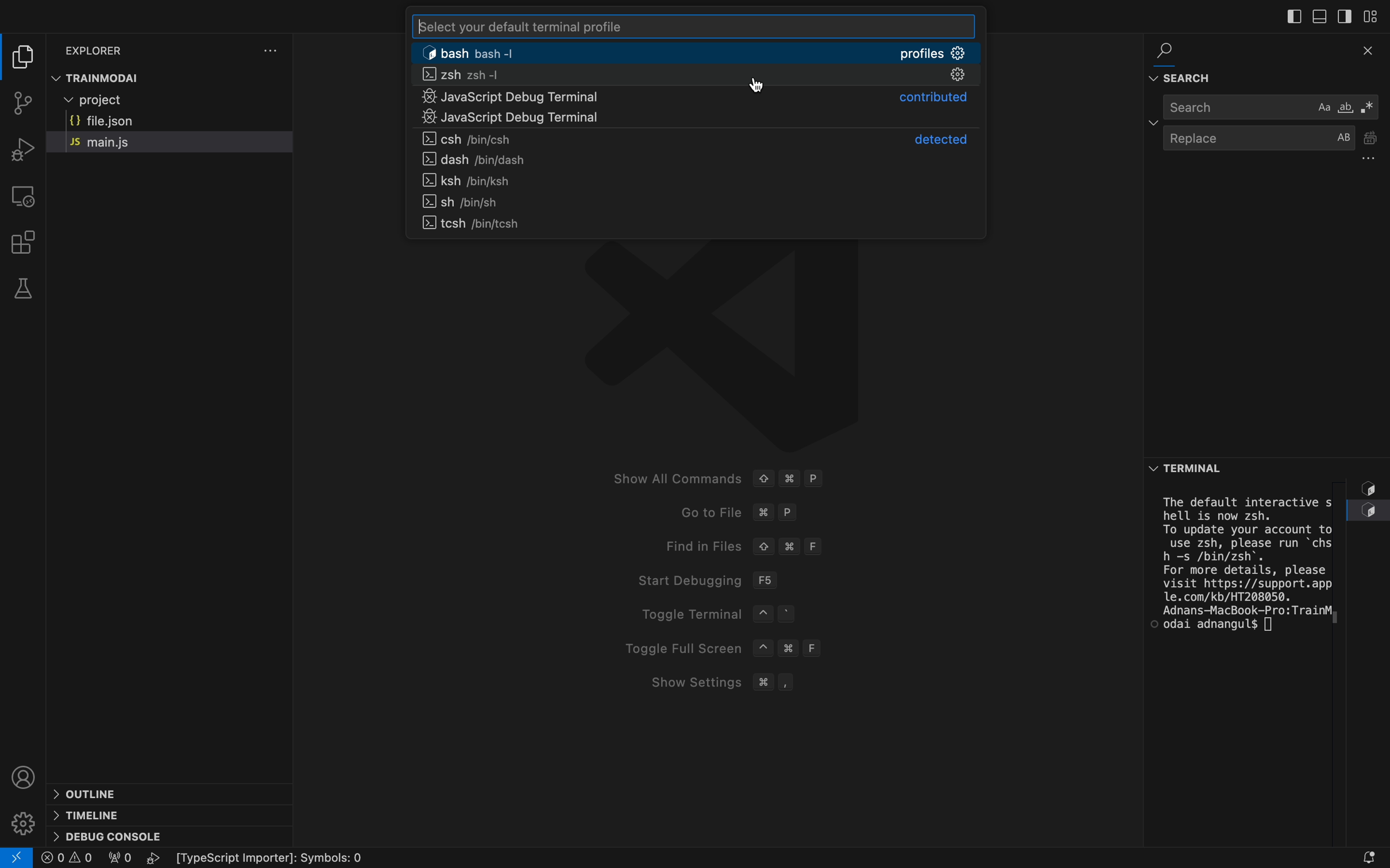  What do you see at coordinates (1234, 576) in the screenshot?
I see `terminal` at bounding box center [1234, 576].